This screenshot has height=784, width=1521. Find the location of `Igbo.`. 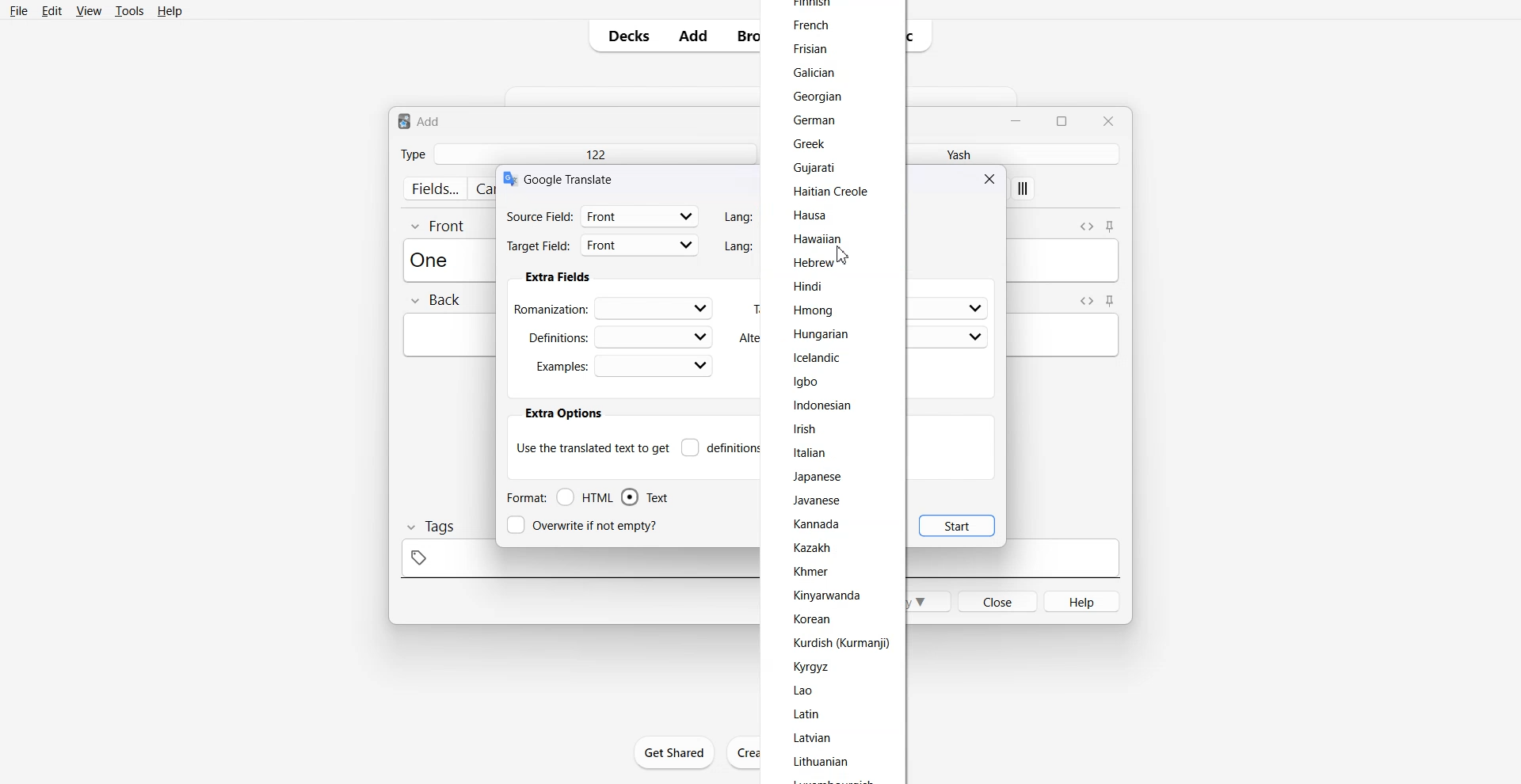

Igbo. is located at coordinates (806, 380).